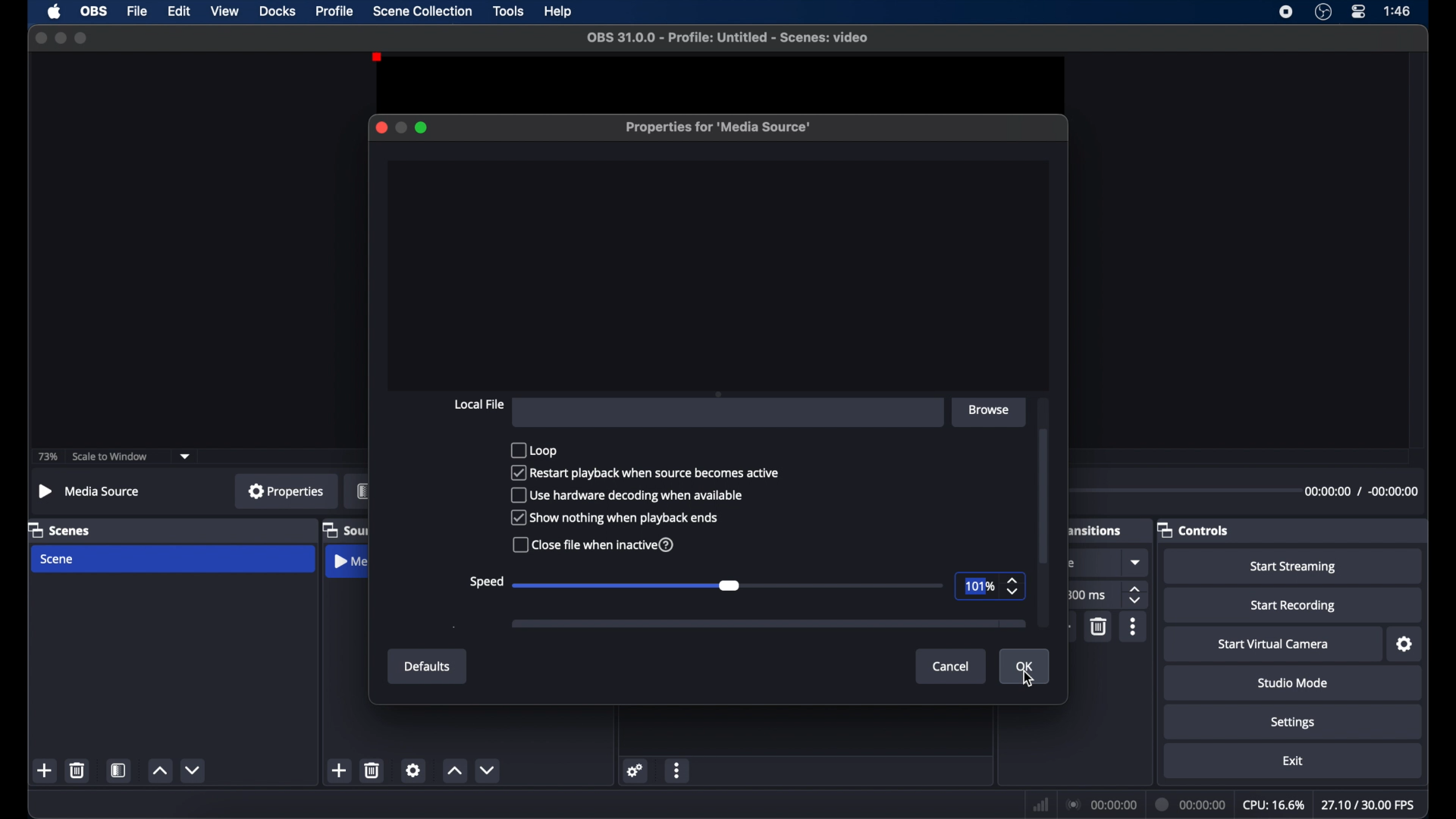  What do you see at coordinates (1294, 682) in the screenshot?
I see `studio mode` at bounding box center [1294, 682].